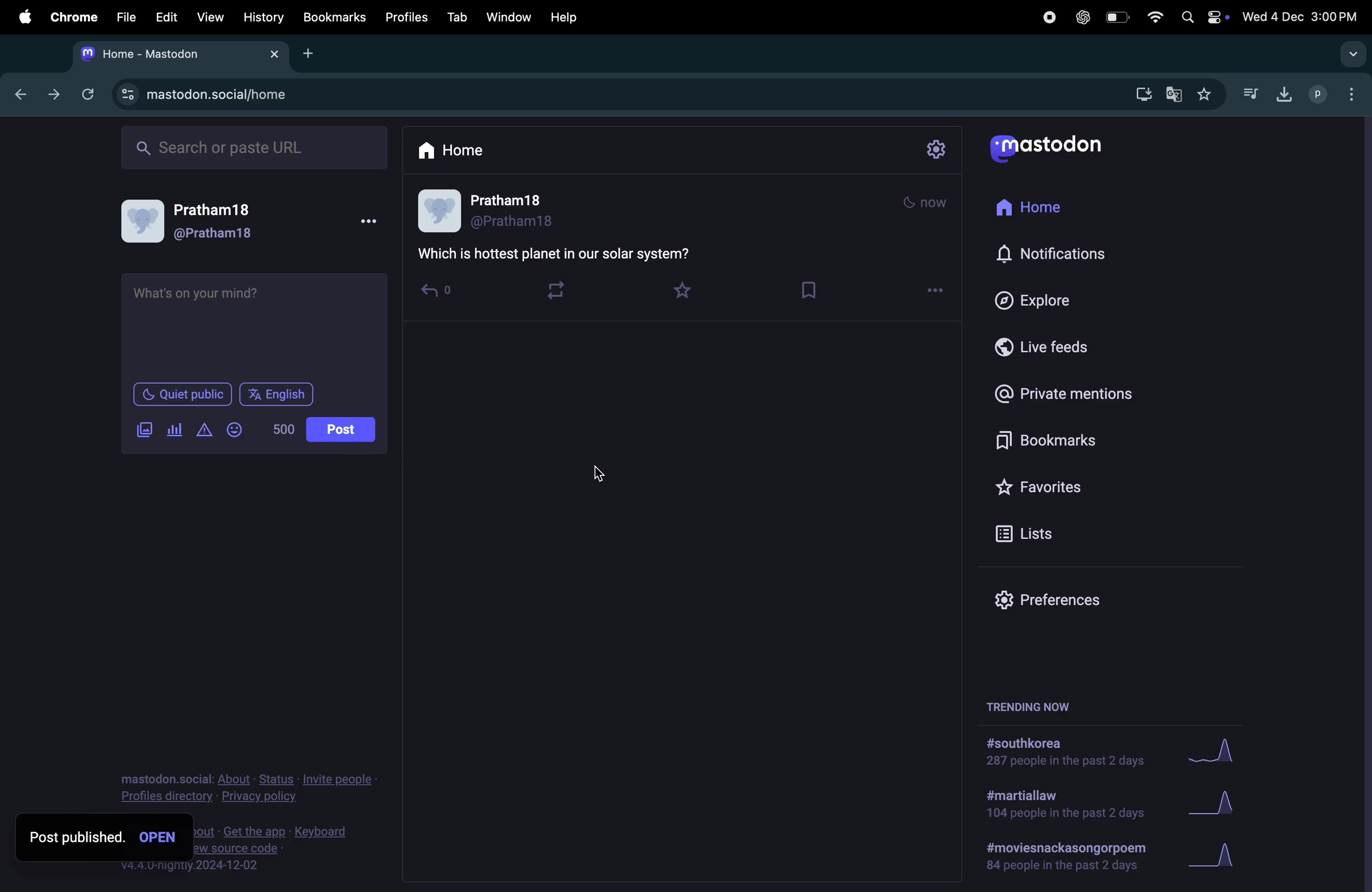  What do you see at coordinates (928, 201) in the screenshot?
I see `mode` at bounding box center [928, 201].